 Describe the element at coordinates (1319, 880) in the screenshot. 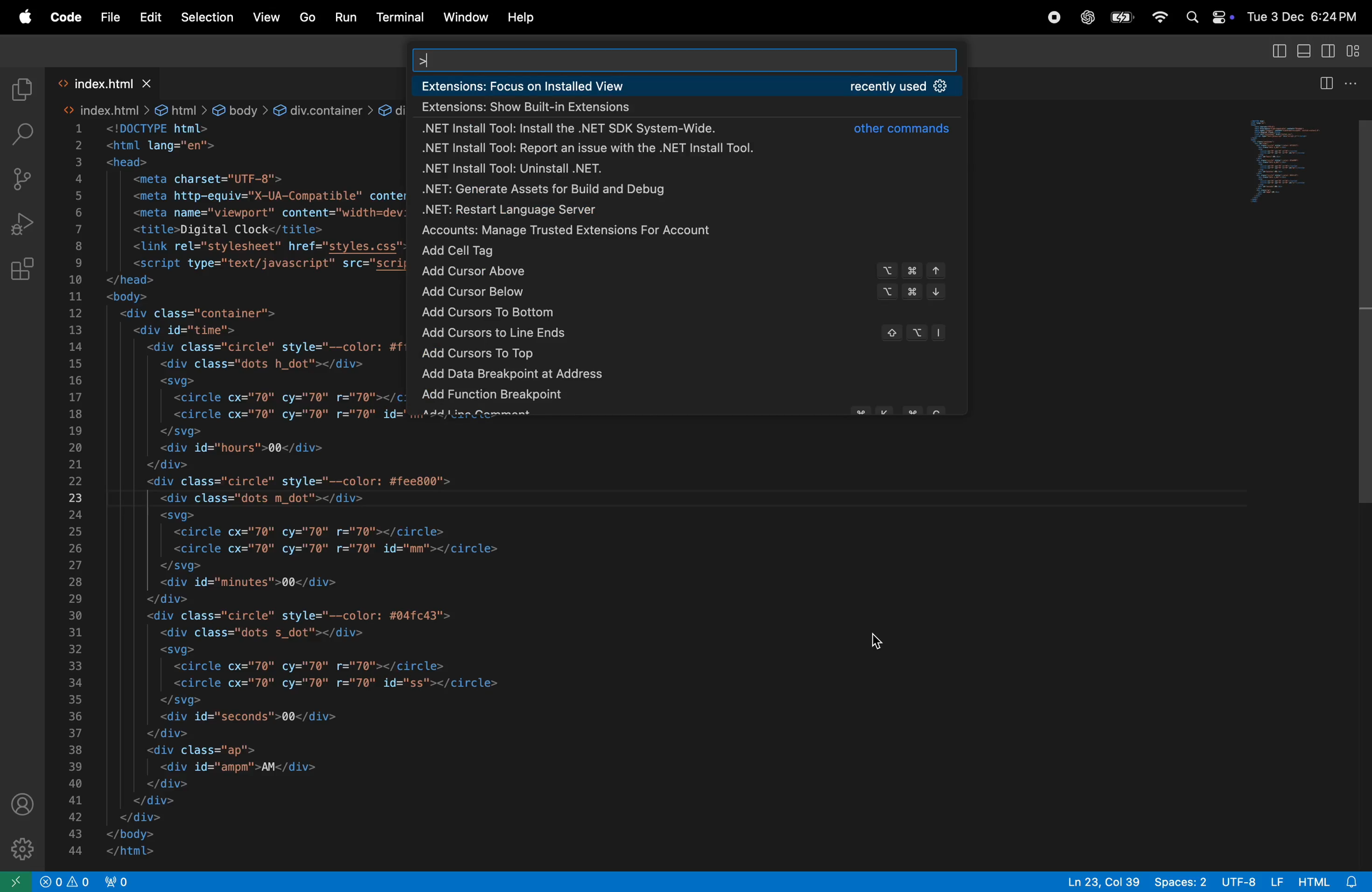

I see `html alert` at that location.